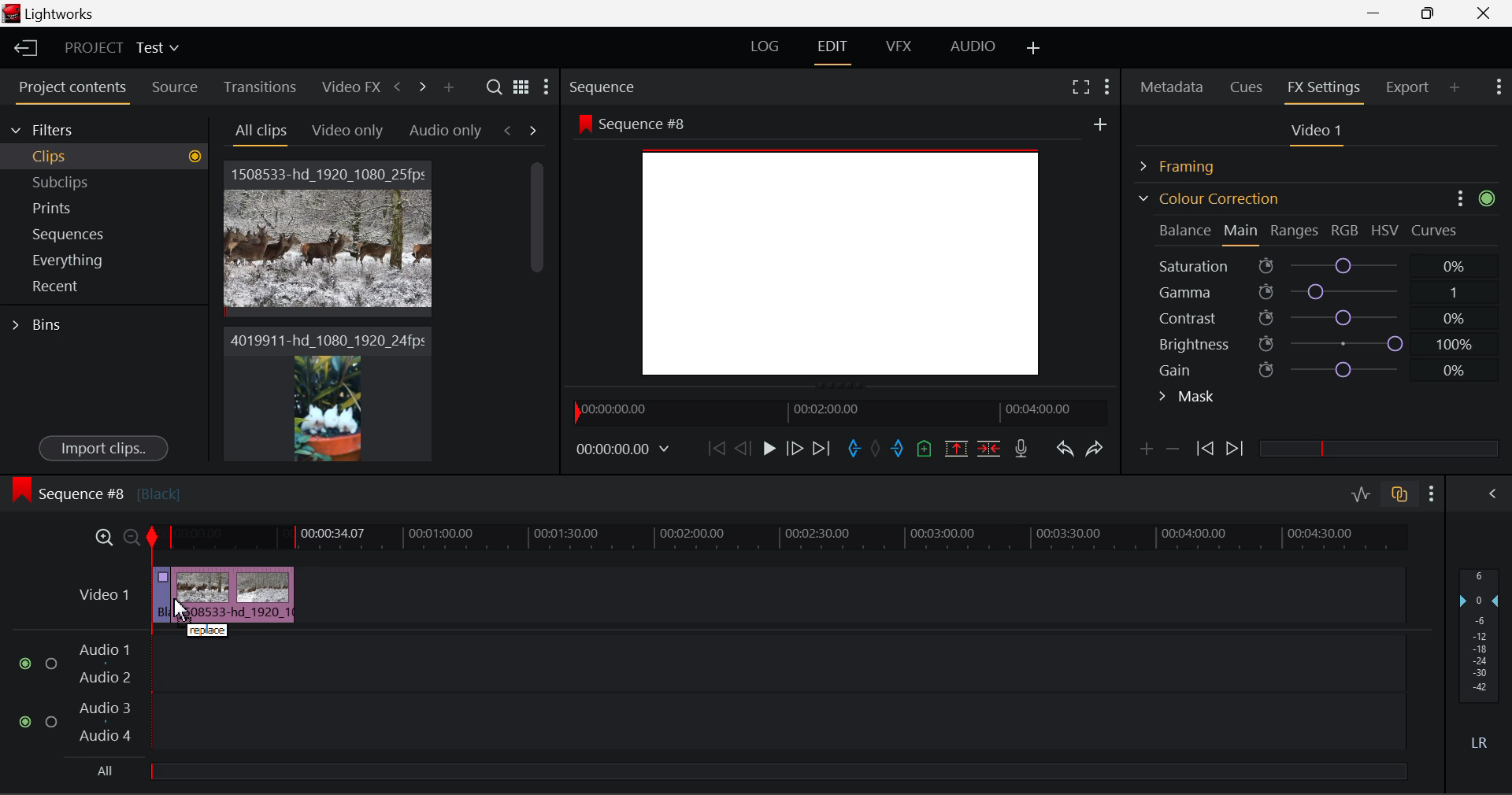 The height and width of the screenshot is (795, 1512). What do you see at coordinates (397, 87) in the screenshot?
I see `Previous Panel` at bounding box center [397, 87].